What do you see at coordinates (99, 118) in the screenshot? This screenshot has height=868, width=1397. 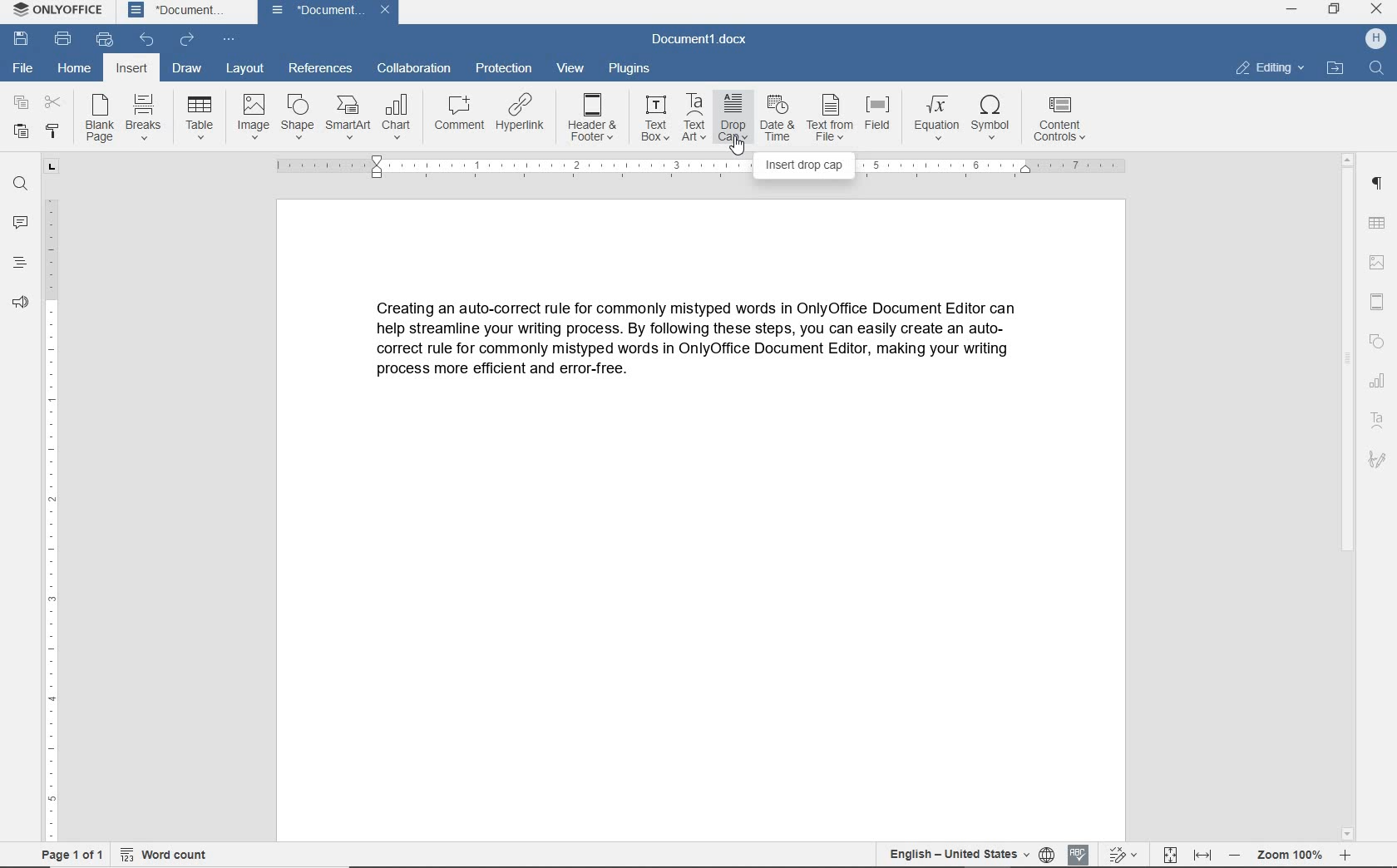 I see `blank page` at bounding box center [99, 118].